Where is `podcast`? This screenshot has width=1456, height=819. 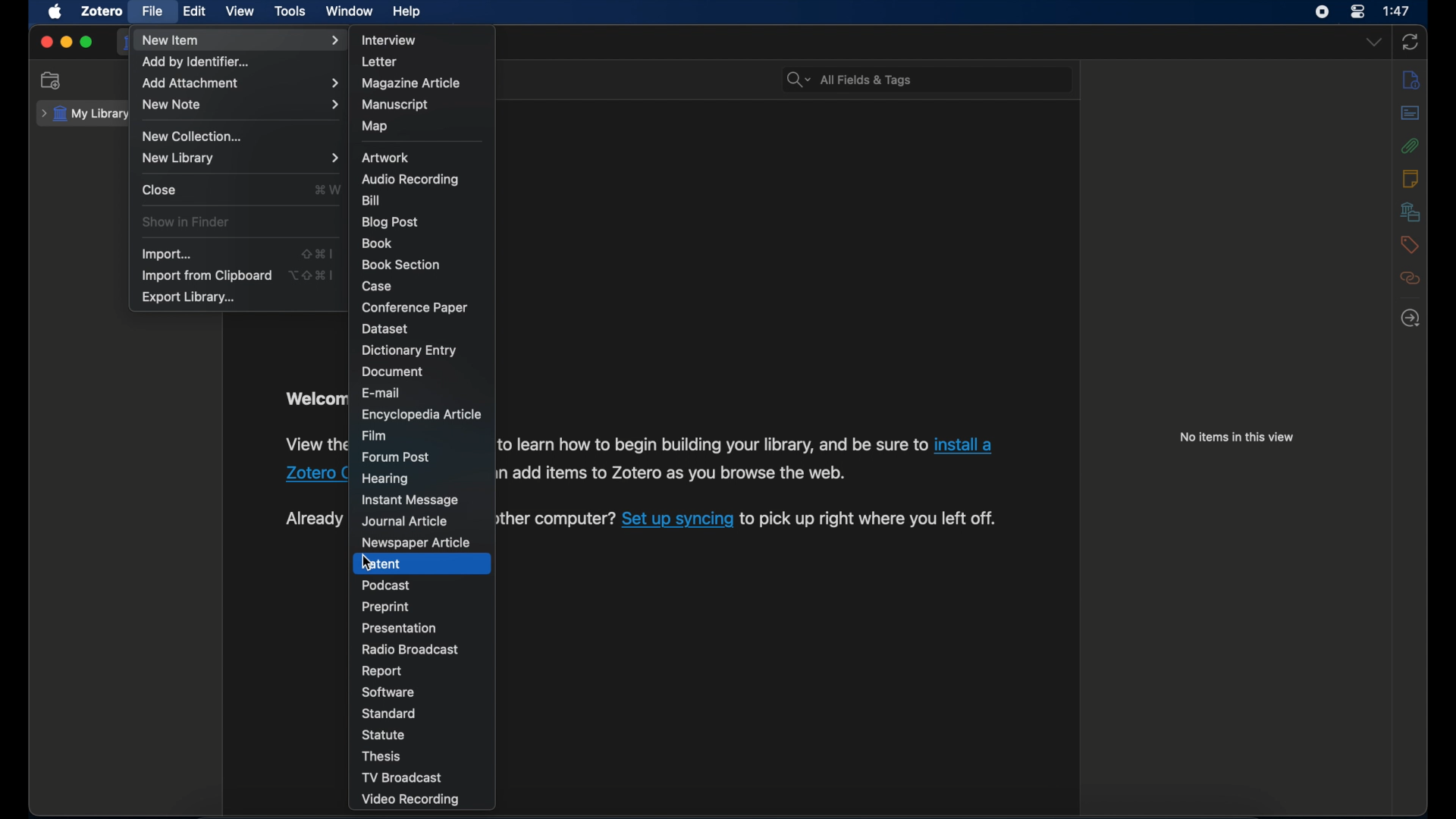 podcast is located at coordinates (388, 585).